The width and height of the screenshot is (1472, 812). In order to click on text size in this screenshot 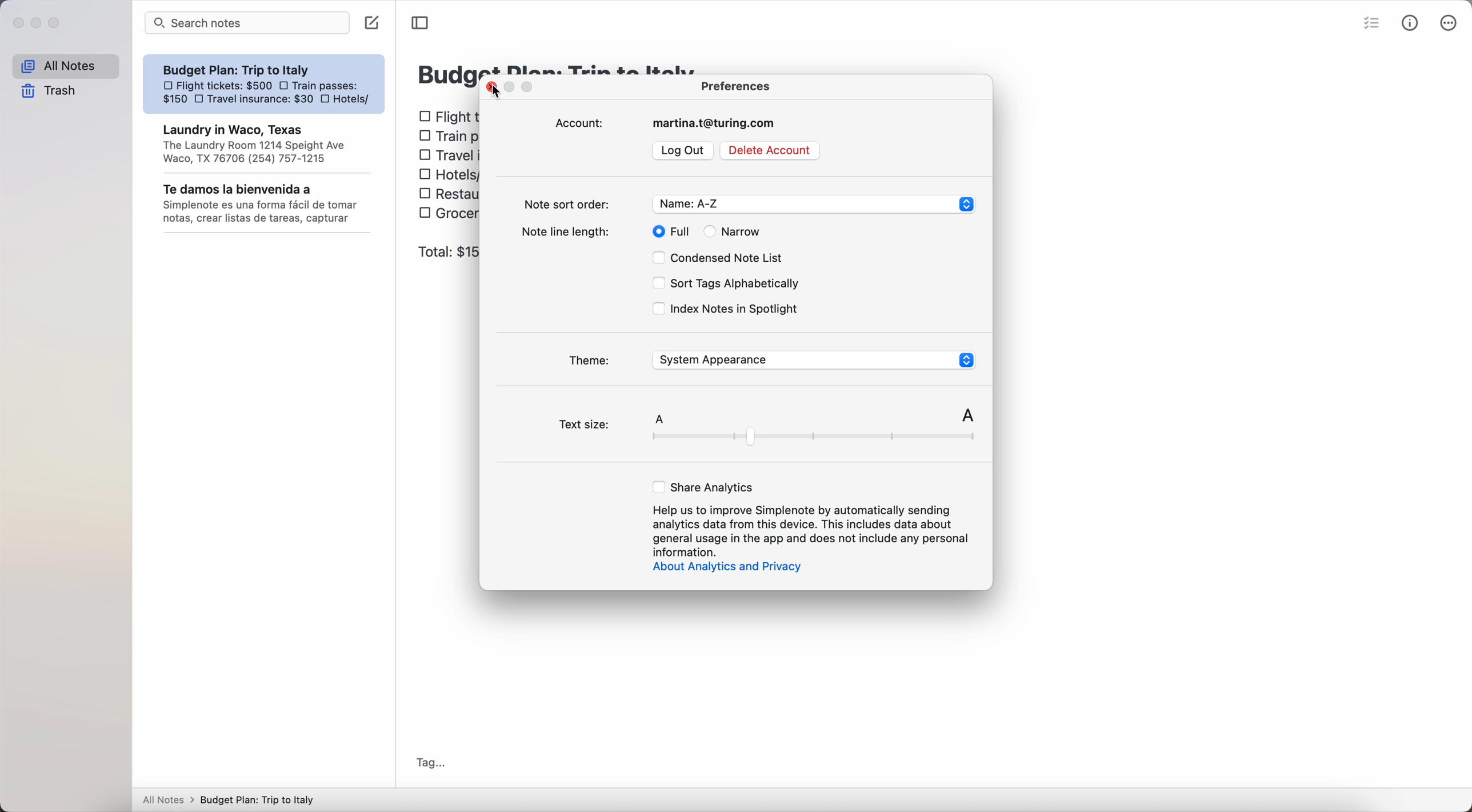, I will do `click(765, 429)`.